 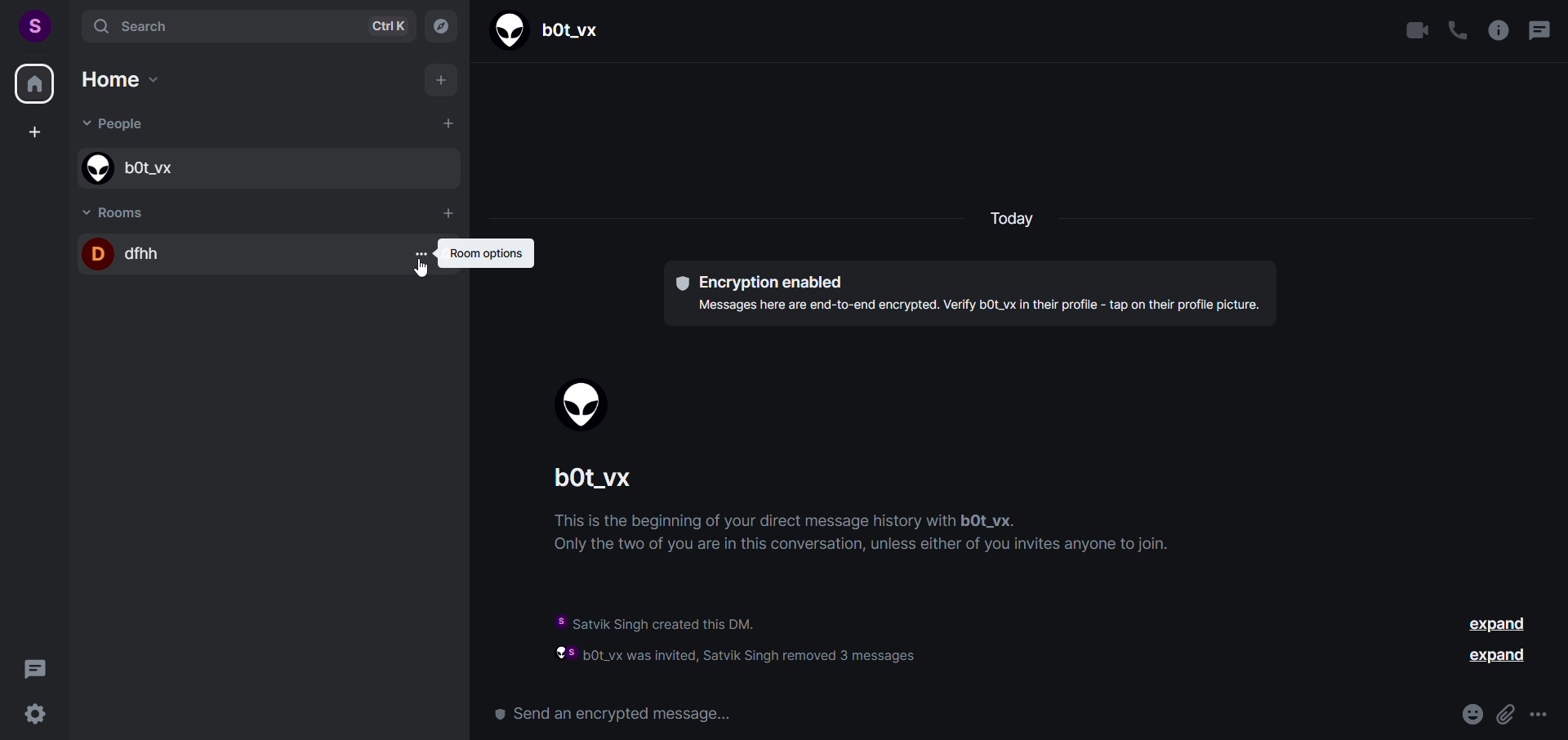 I want to click on room, so click(x=119, y=210).